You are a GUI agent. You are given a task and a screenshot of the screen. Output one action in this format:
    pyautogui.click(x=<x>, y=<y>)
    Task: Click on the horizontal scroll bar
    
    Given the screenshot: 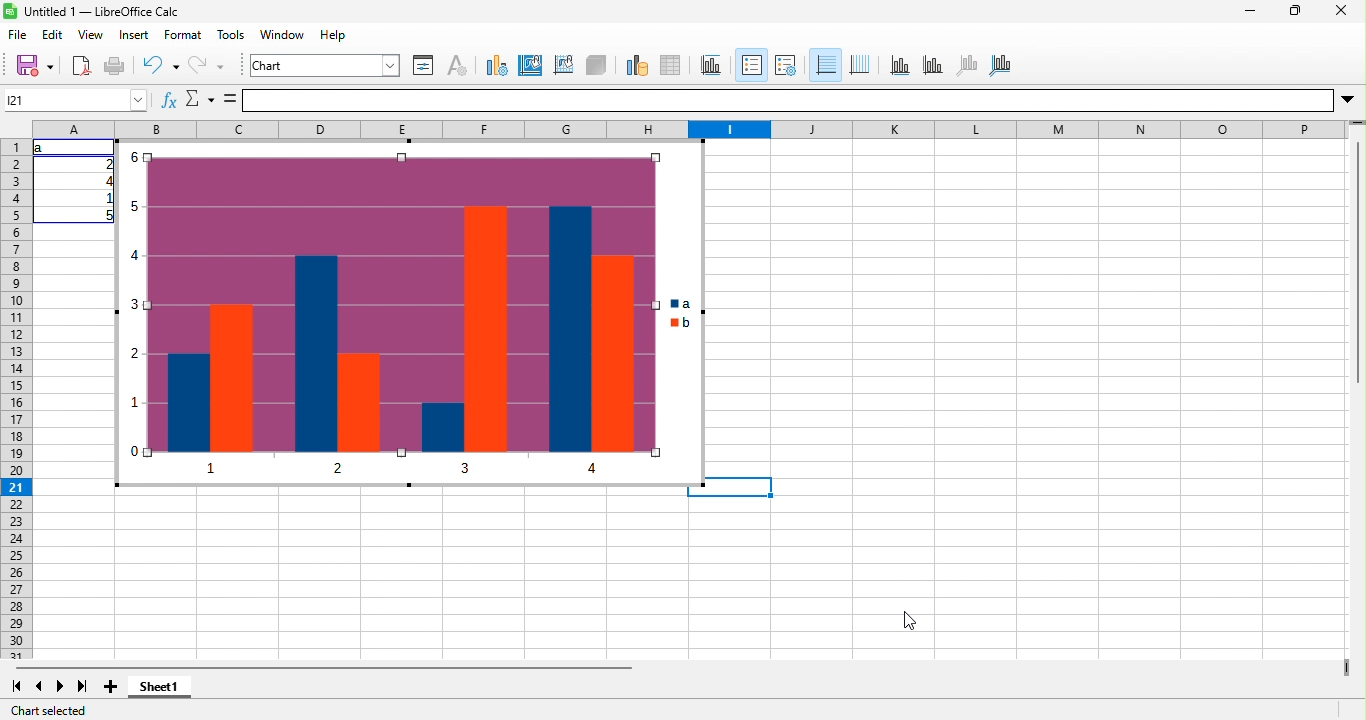 What is the action you would take?
    pyautogui.click(x=324, y=667)
    